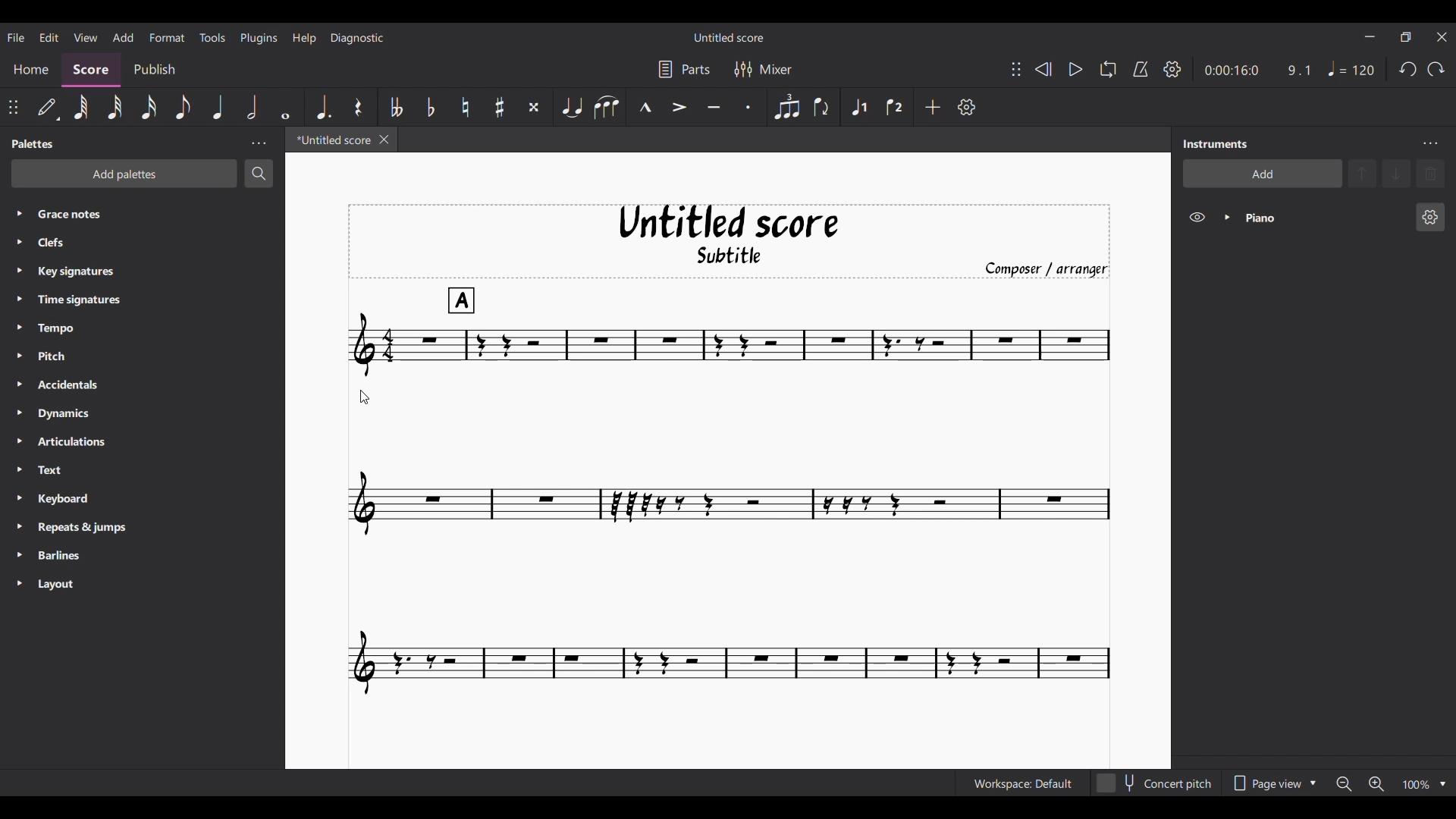  Describe the element at coordinates (153, 212) in the screenshot. I see `Grace notes` at that location.